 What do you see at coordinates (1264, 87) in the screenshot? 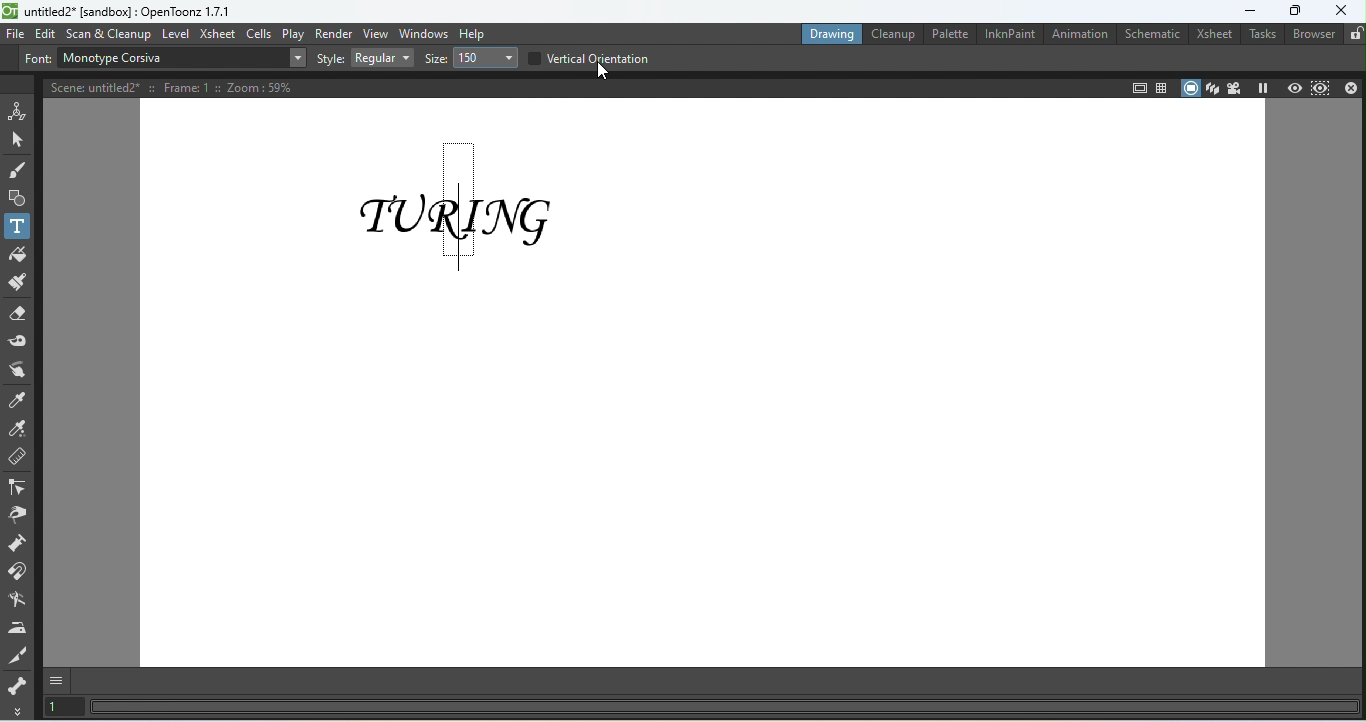
I see `Freeze` at bounding box center [1264, 87].